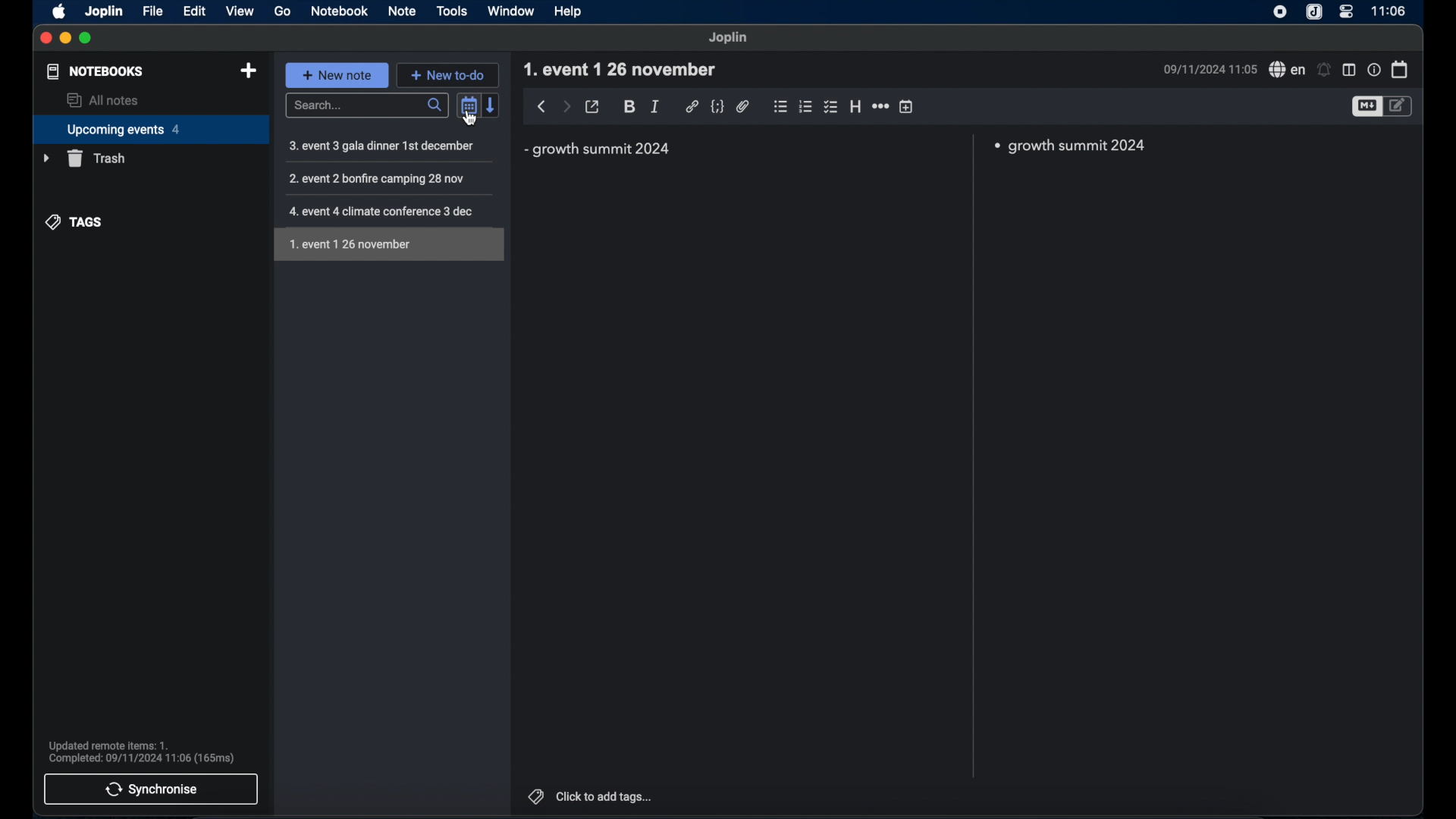 This screenshot has width=1456, height=819. I want to click on bold, so click(629, 107).